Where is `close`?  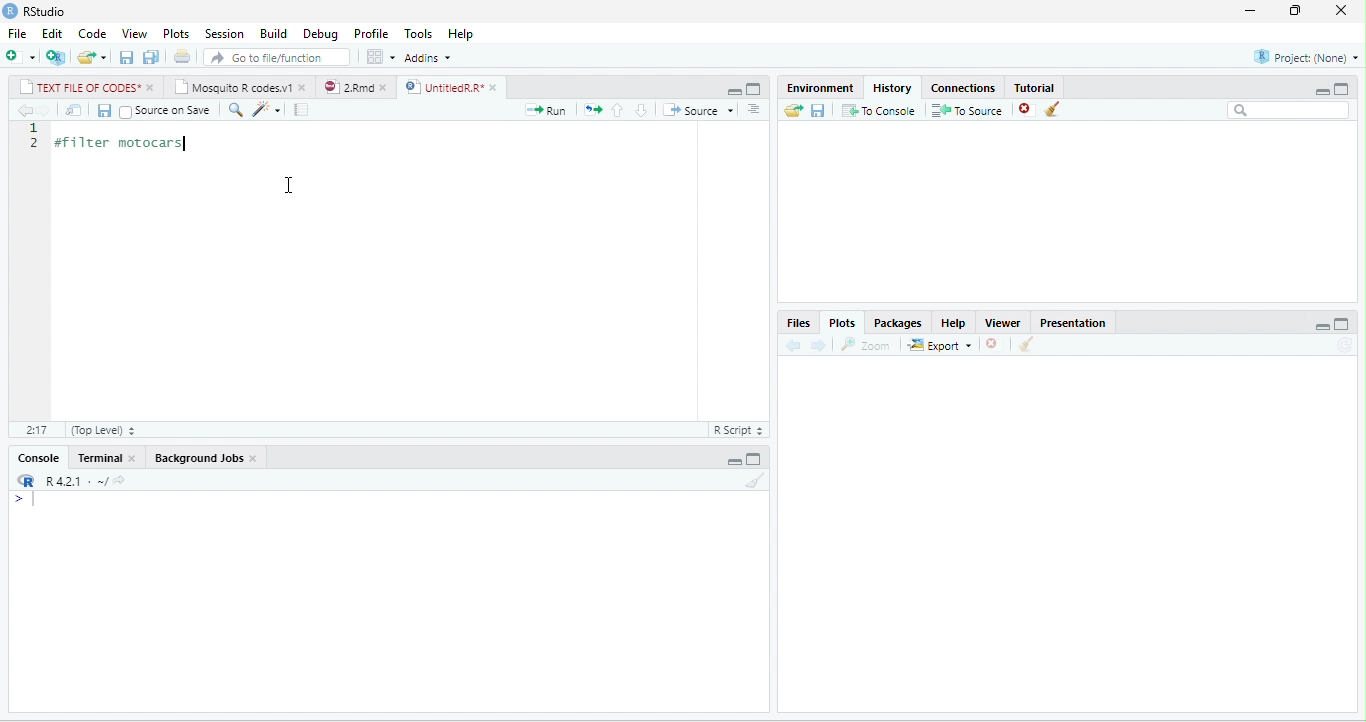 close is located at coordinates (153, 87).